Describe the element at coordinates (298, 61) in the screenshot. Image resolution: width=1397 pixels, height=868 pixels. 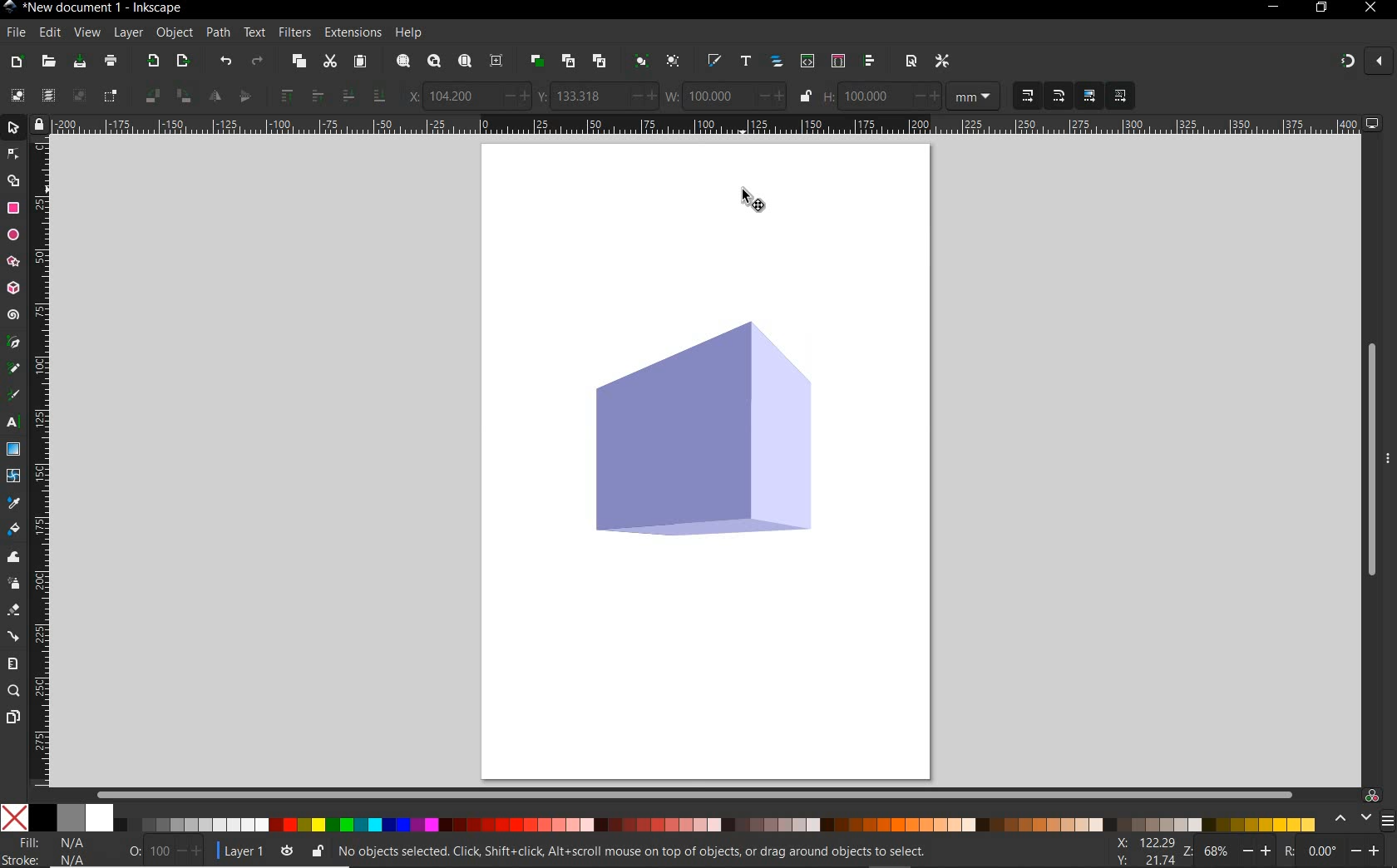
I see `copy` at that location.